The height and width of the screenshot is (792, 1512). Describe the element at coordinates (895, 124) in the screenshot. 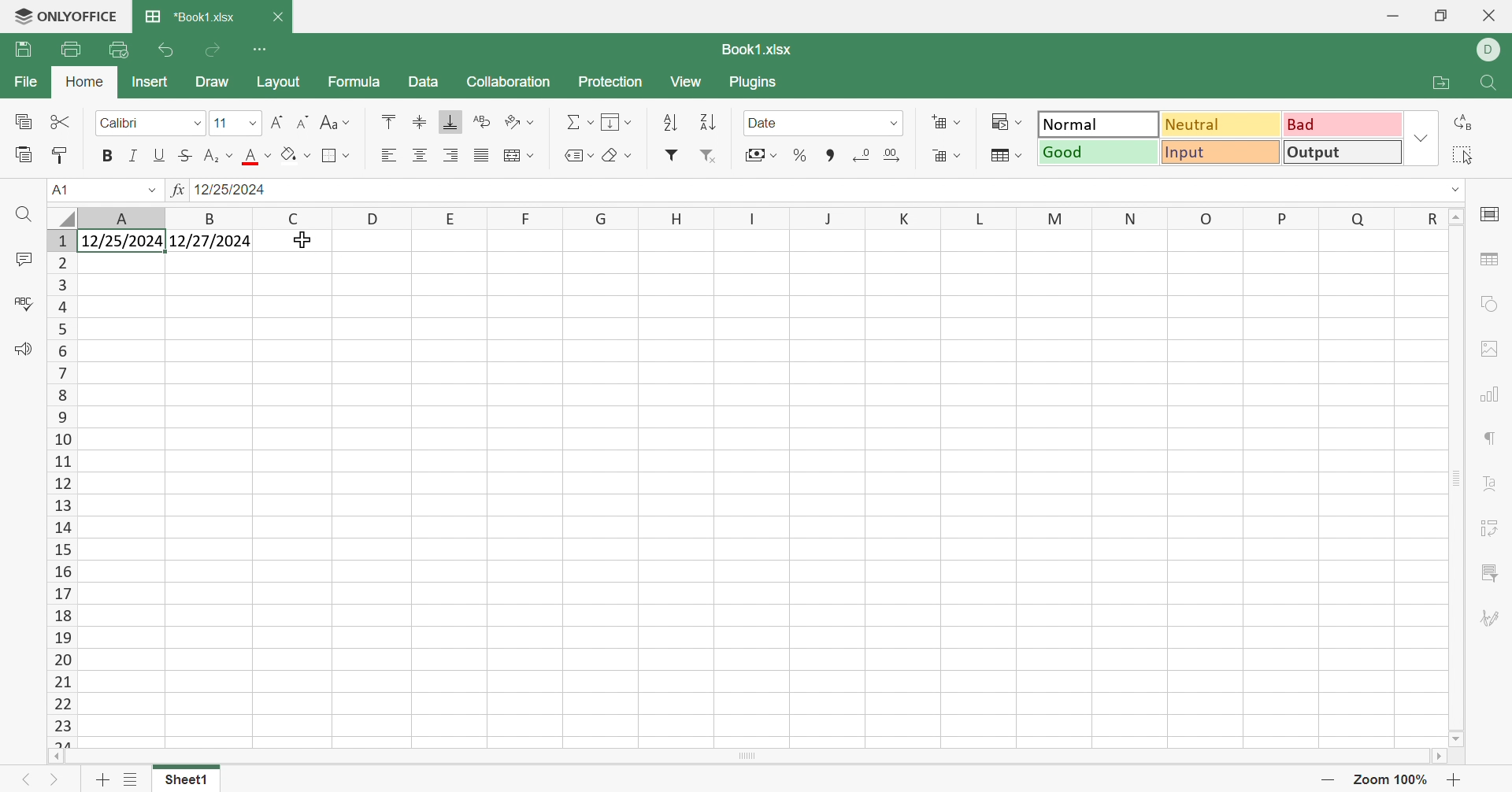

I see `Drop Down` at that location.